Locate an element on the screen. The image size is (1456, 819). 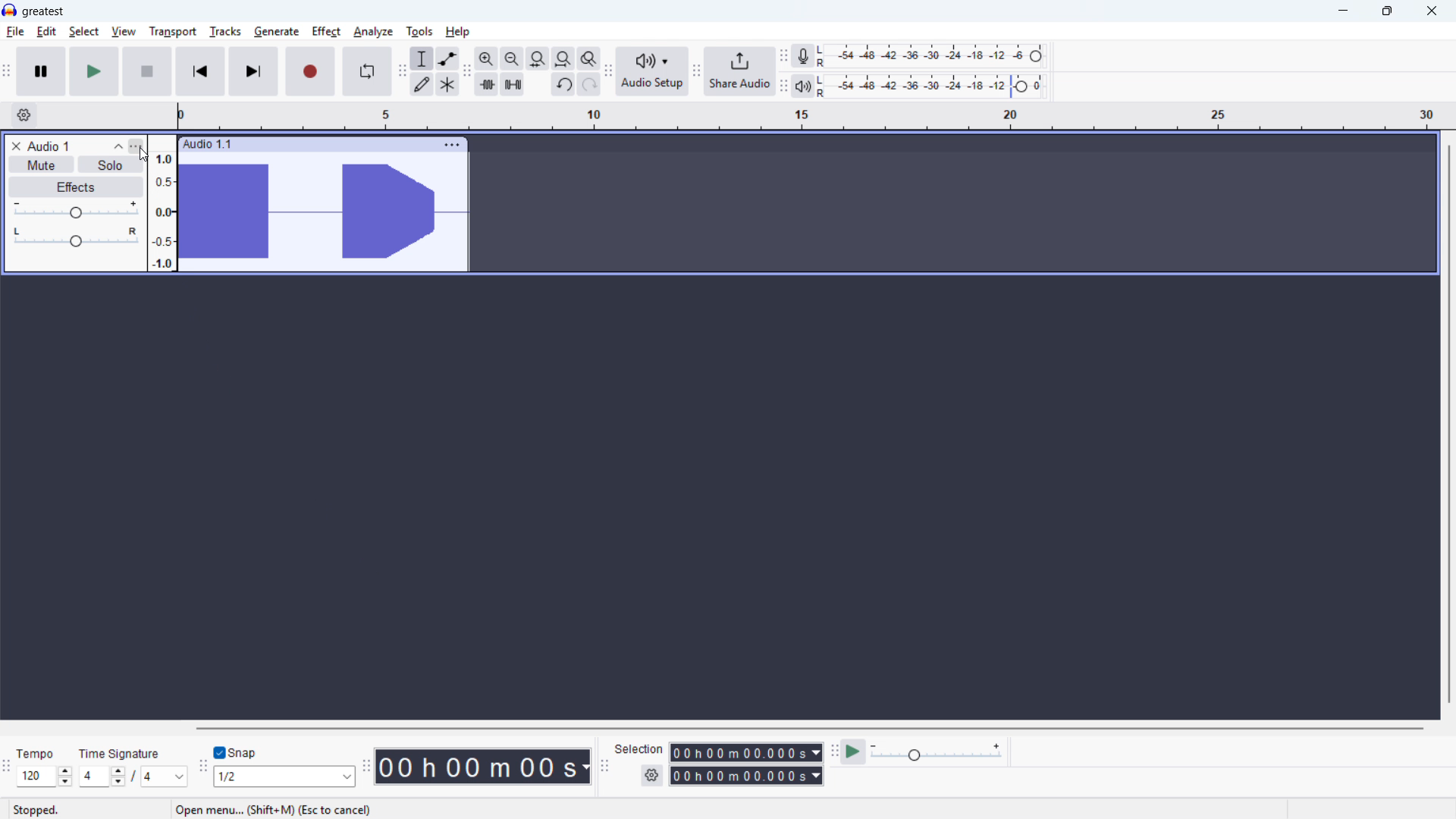
share audio is located at coordinates (739, 71).